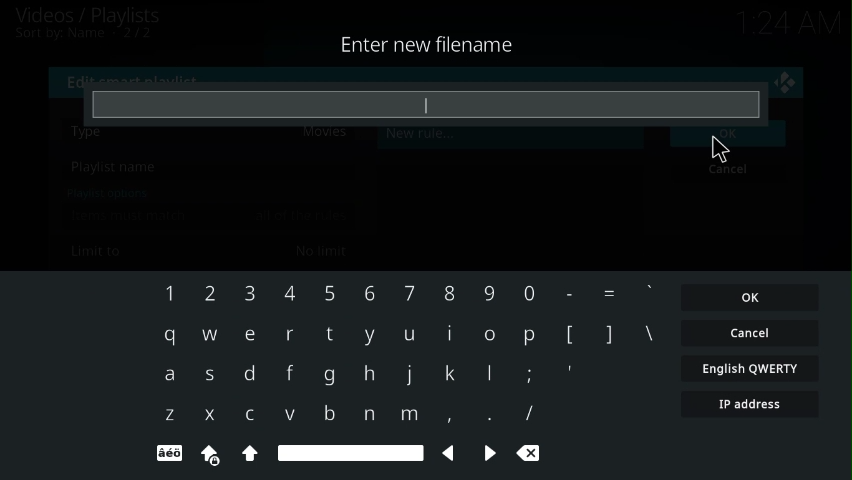  Describe the element at coordinates (366, 375) in the screenshot. I see `h` at that location.